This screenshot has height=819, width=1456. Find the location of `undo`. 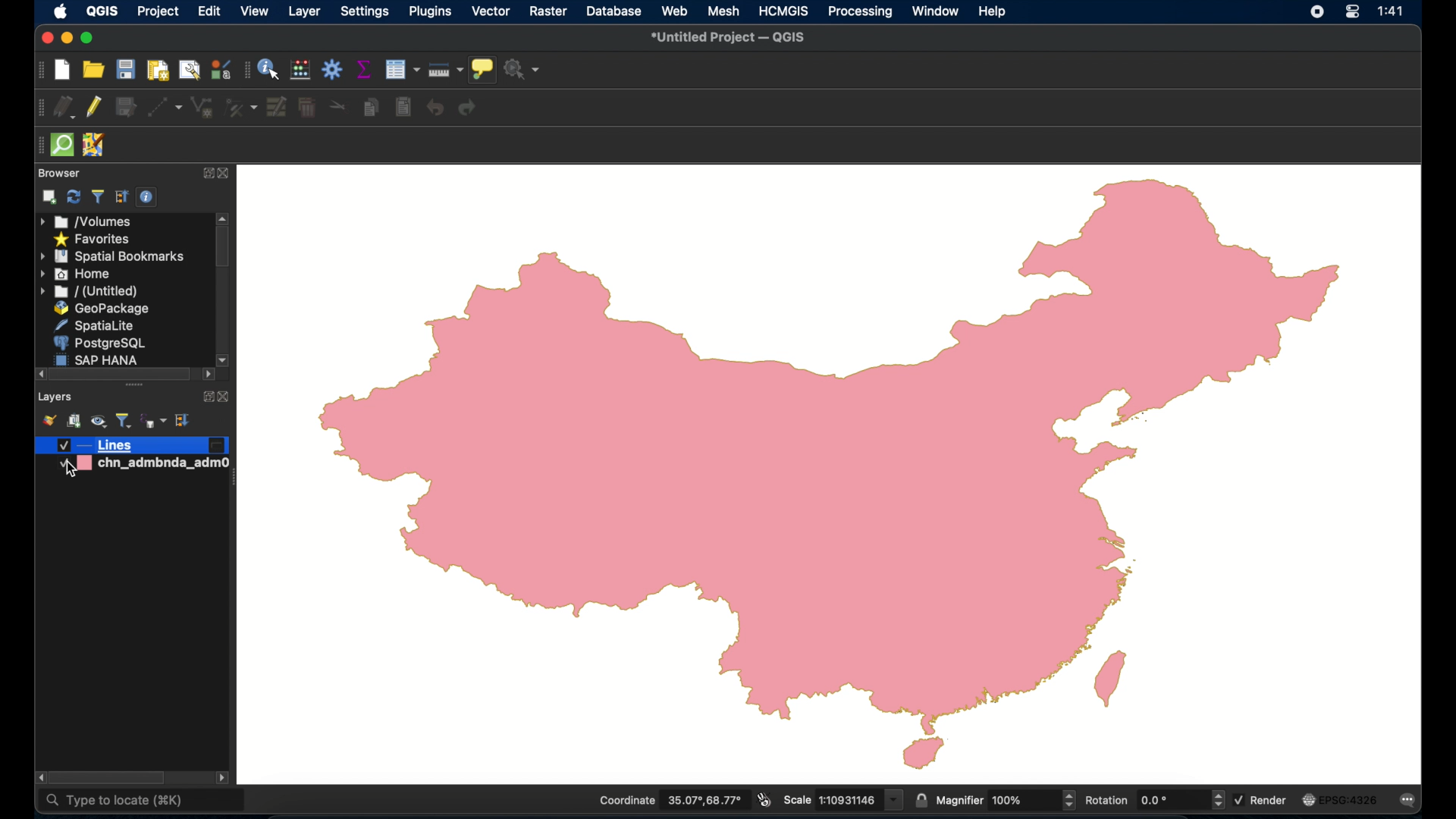

undo is located at coordinates (435, 108).